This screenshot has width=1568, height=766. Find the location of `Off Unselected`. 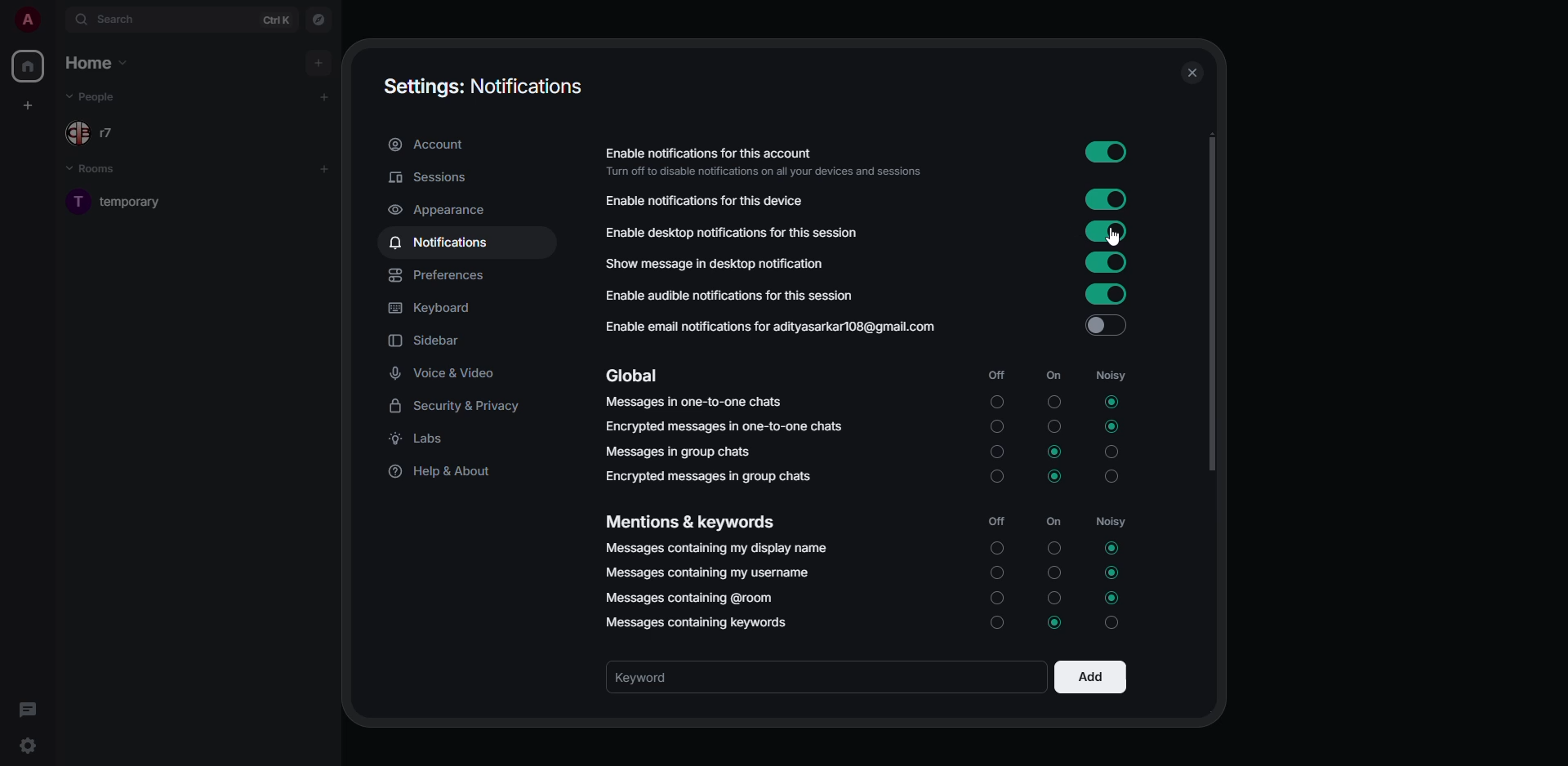

Off Unselected is located at coordinates (998, 479).